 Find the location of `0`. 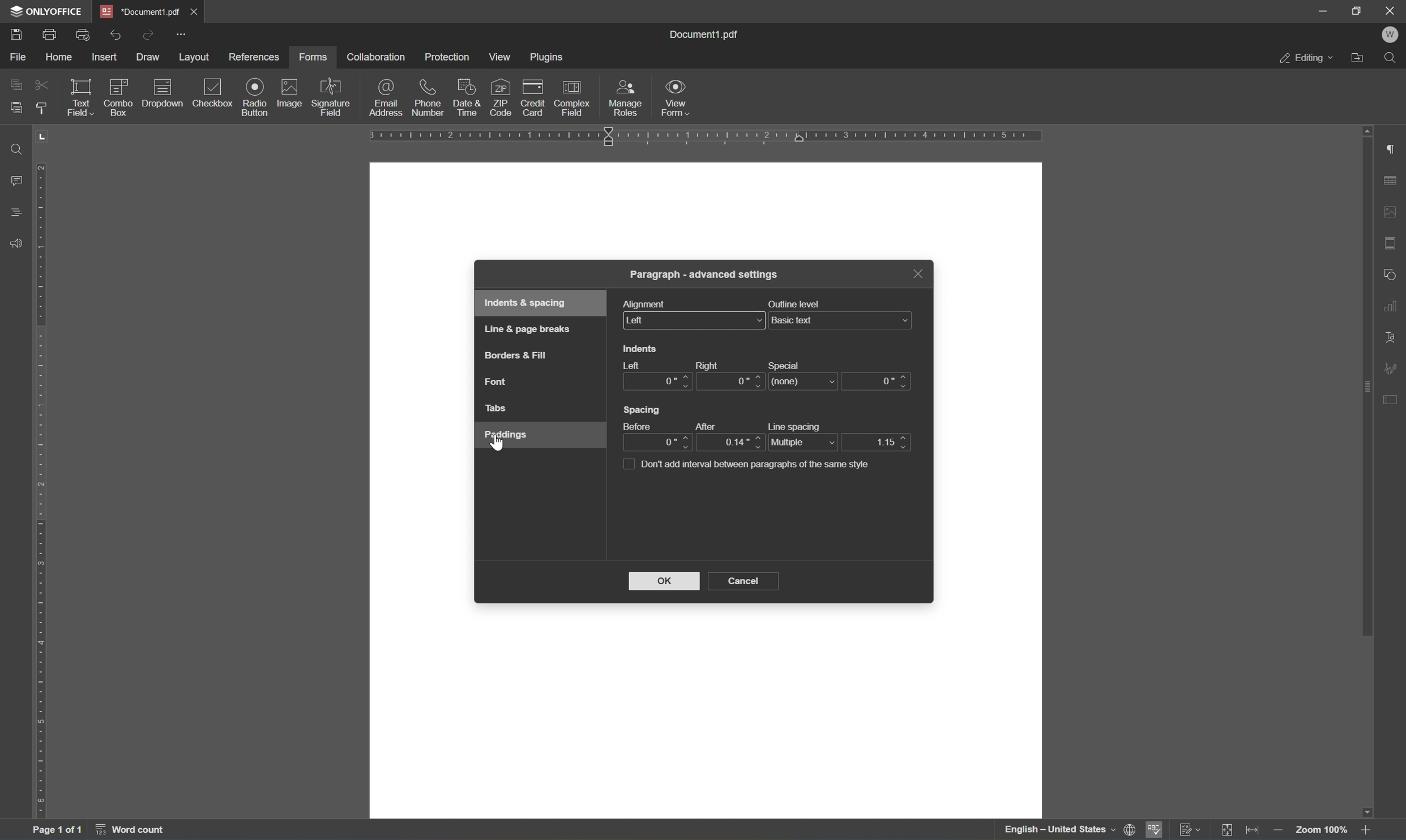

0 is located at coordinates (659, 382).